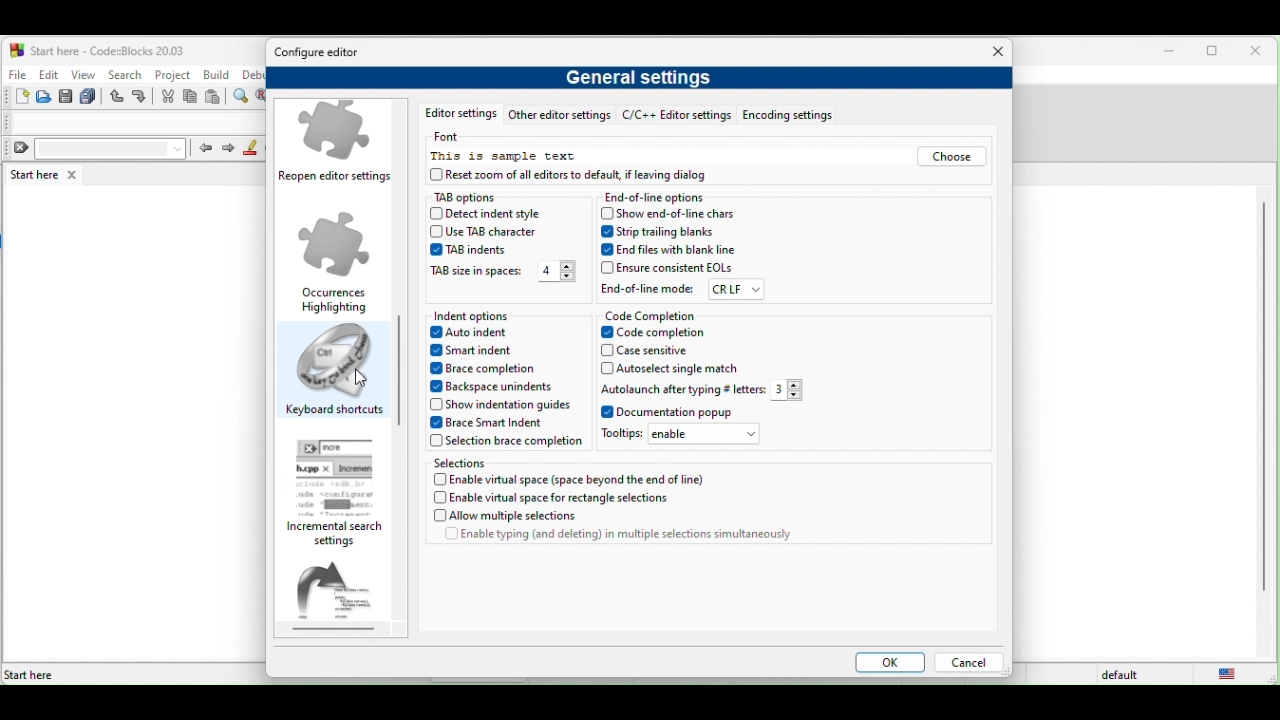  I want to click on tab indent, so click(467, 250).